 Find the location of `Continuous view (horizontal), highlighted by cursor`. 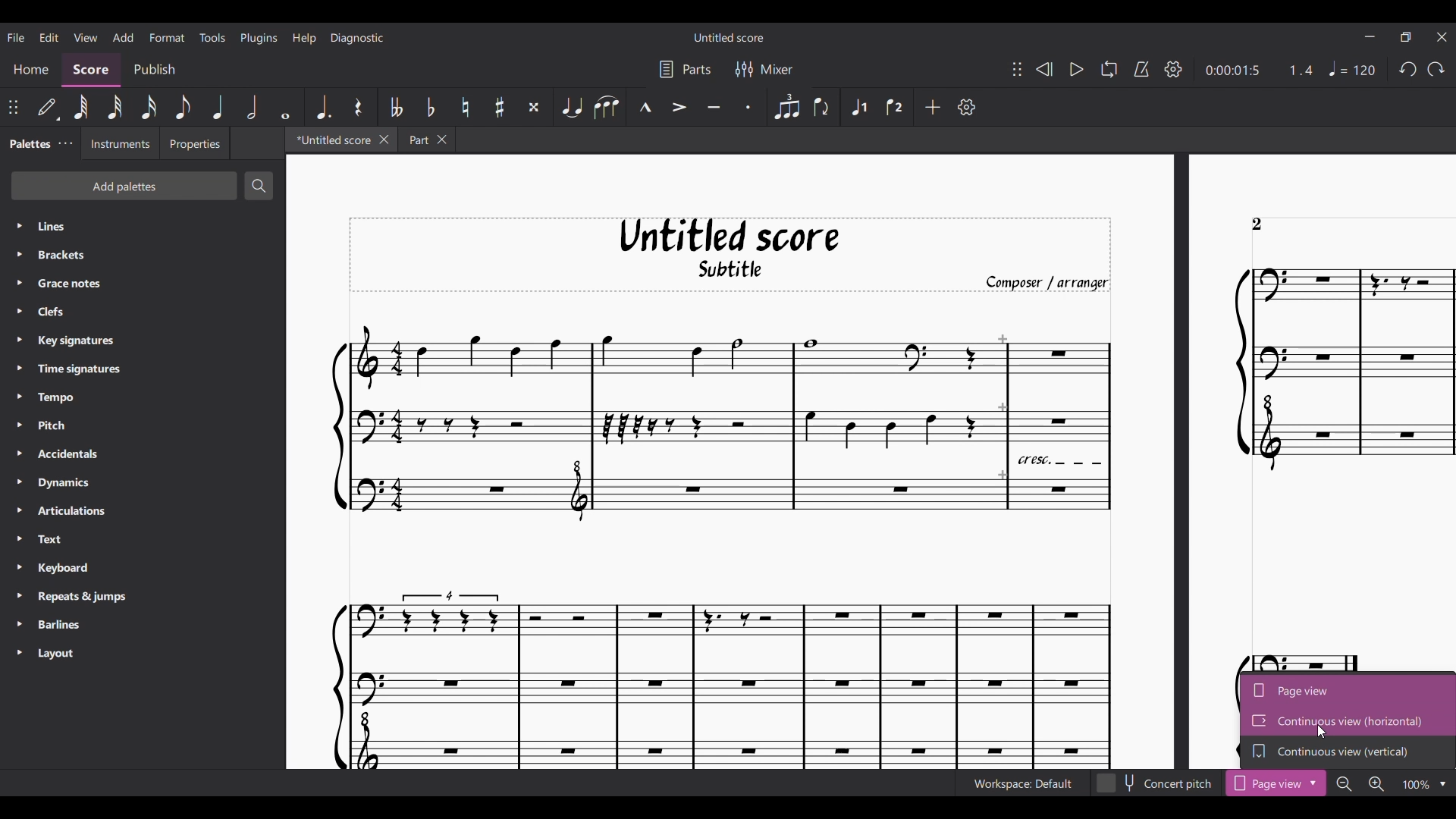

Continuous view (horizontal), highlighted by cursor is located at coordinates (1348, 720).